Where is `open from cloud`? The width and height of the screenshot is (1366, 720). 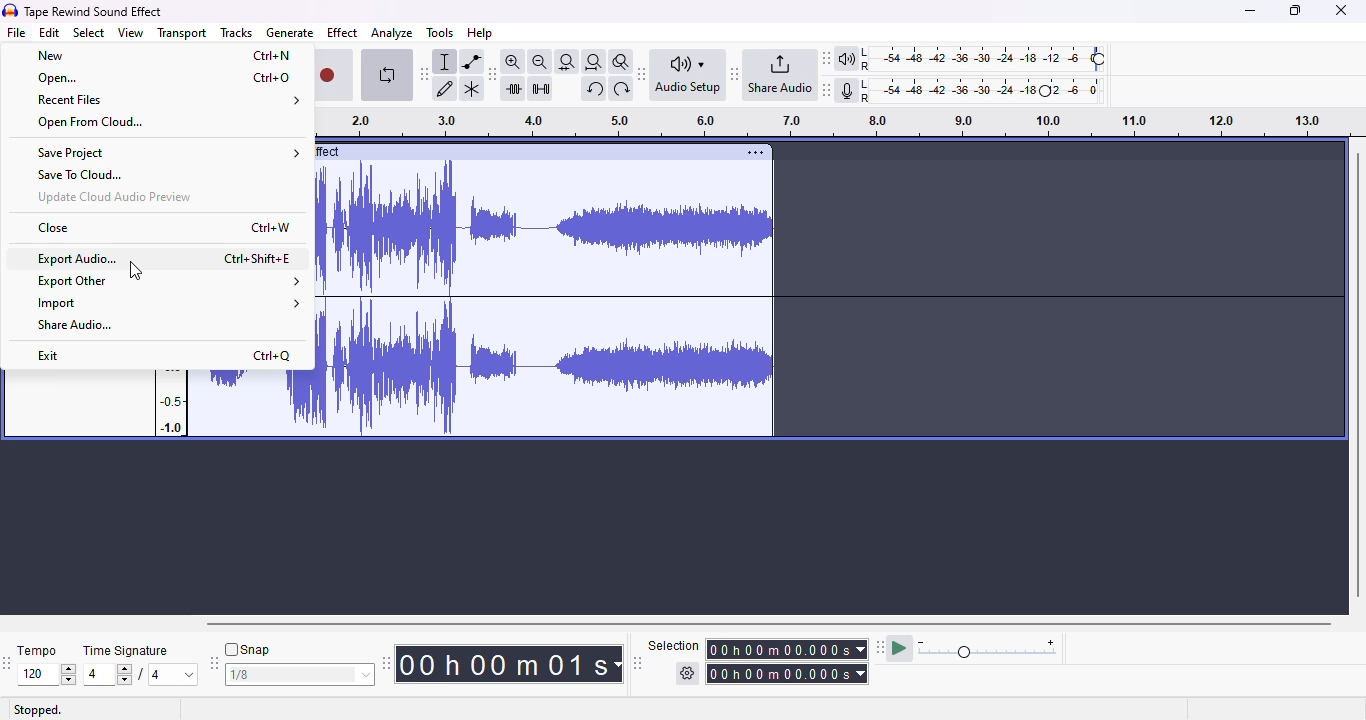
open from cloud is located at coordinates (90, 122).